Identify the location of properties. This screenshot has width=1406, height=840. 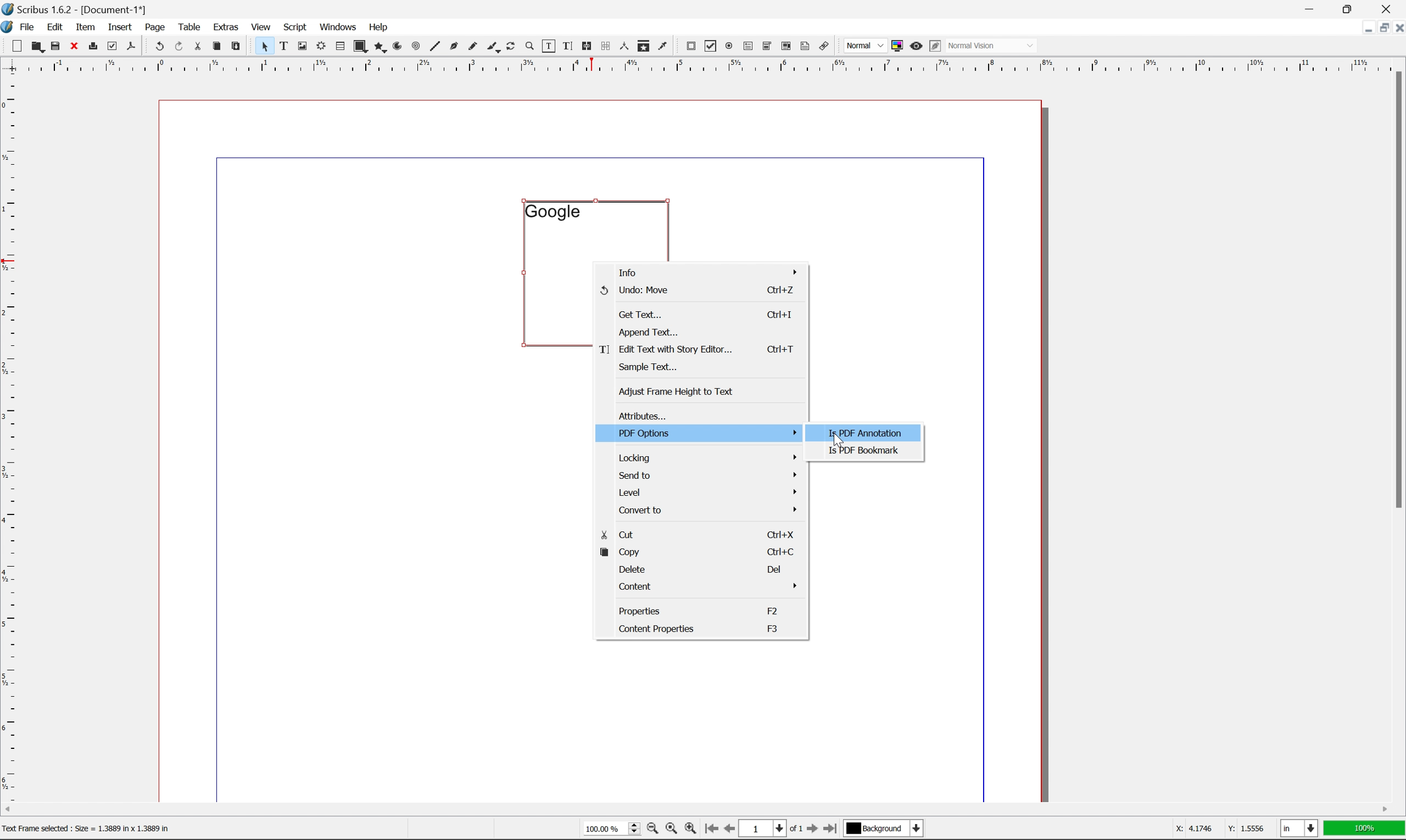
(642, 610).